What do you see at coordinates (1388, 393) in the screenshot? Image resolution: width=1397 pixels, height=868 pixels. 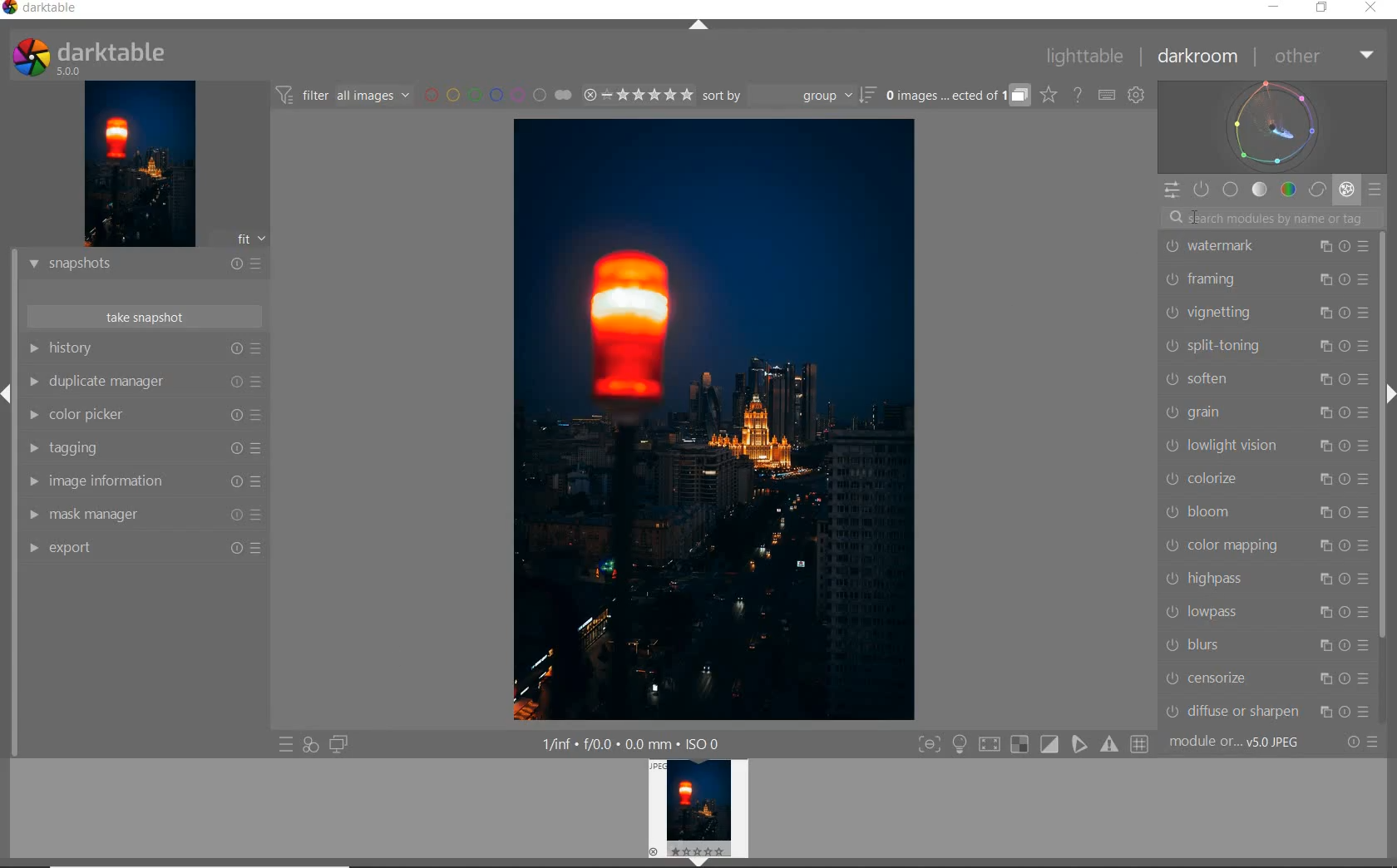 I see `expand/collapse` at bounding box center [1388, 393].